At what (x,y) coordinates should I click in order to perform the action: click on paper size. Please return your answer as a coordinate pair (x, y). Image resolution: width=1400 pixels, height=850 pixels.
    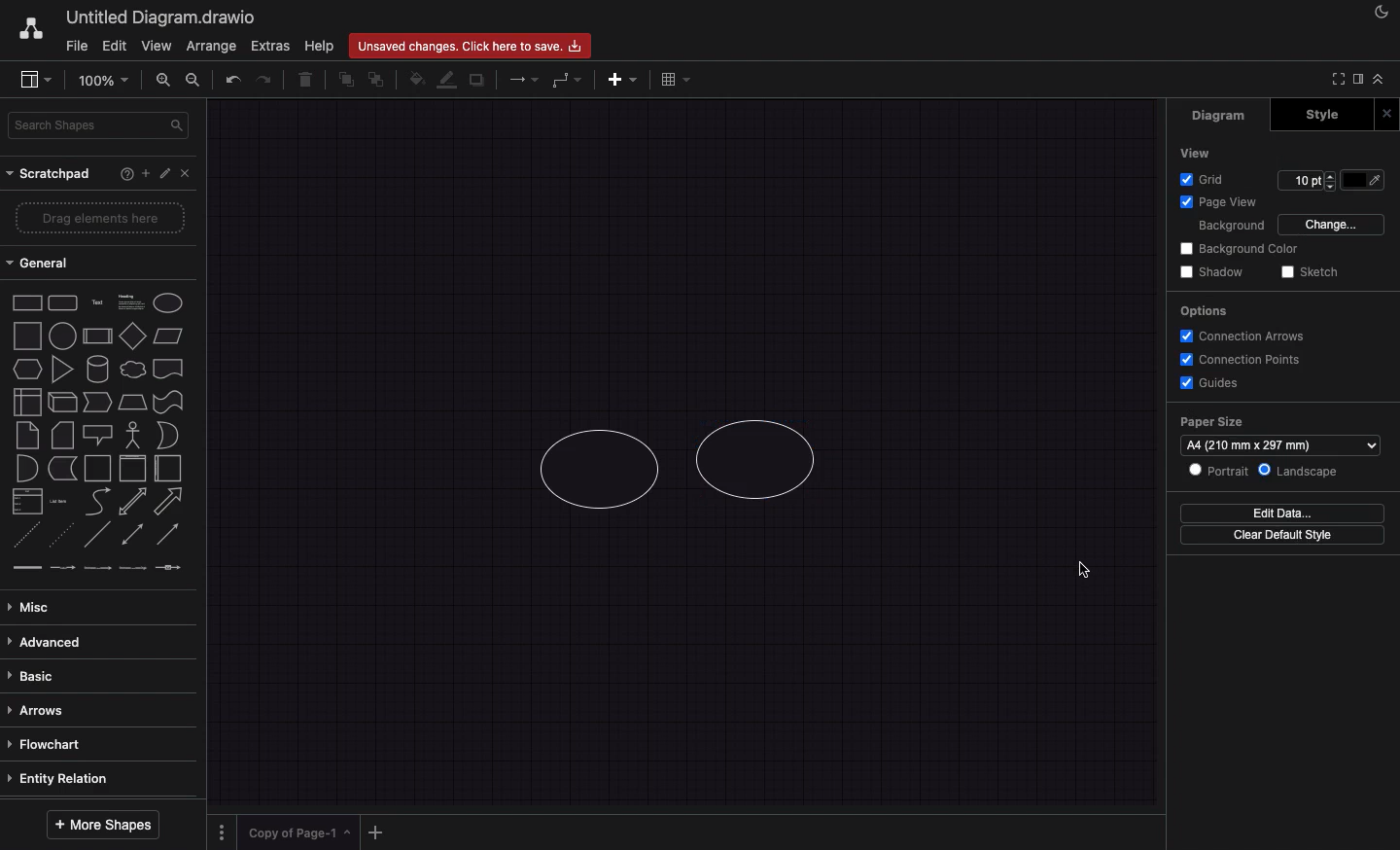
    Looking at the image, I should click on (1211, 421).